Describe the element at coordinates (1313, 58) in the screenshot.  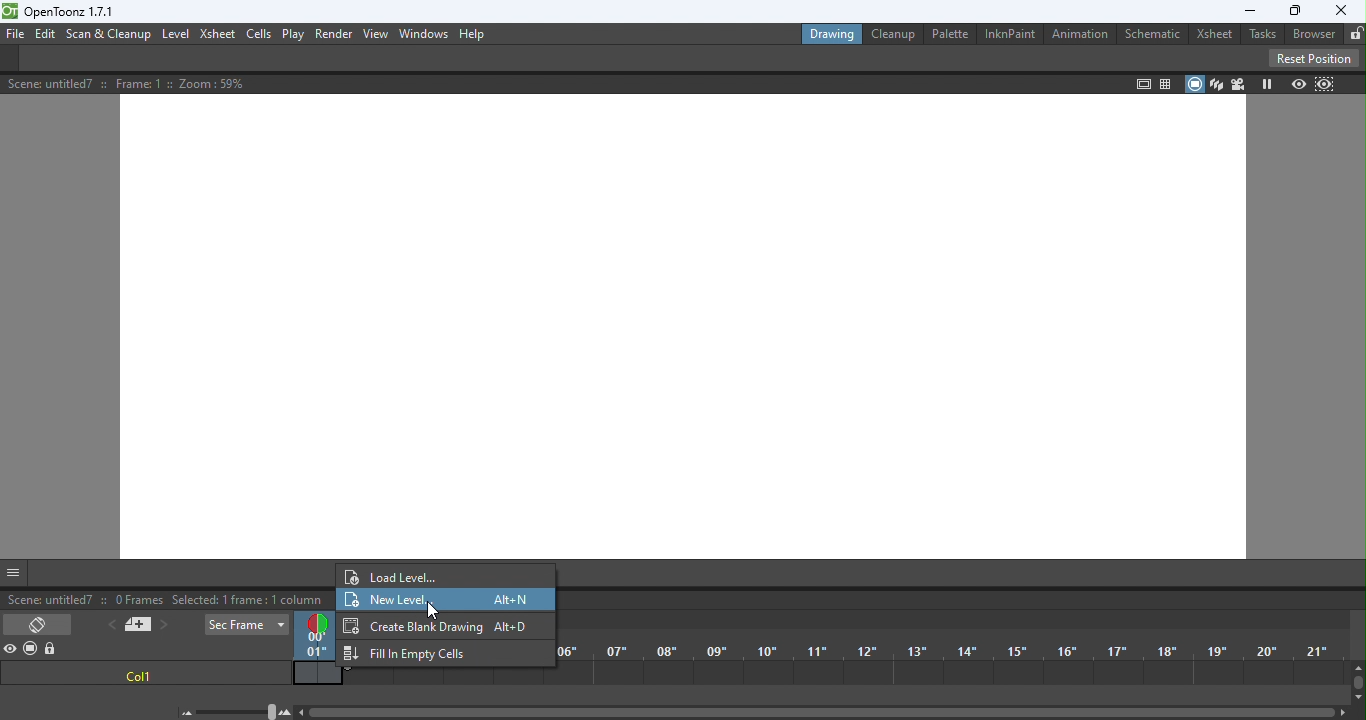
I see `Reset Position` at that location.